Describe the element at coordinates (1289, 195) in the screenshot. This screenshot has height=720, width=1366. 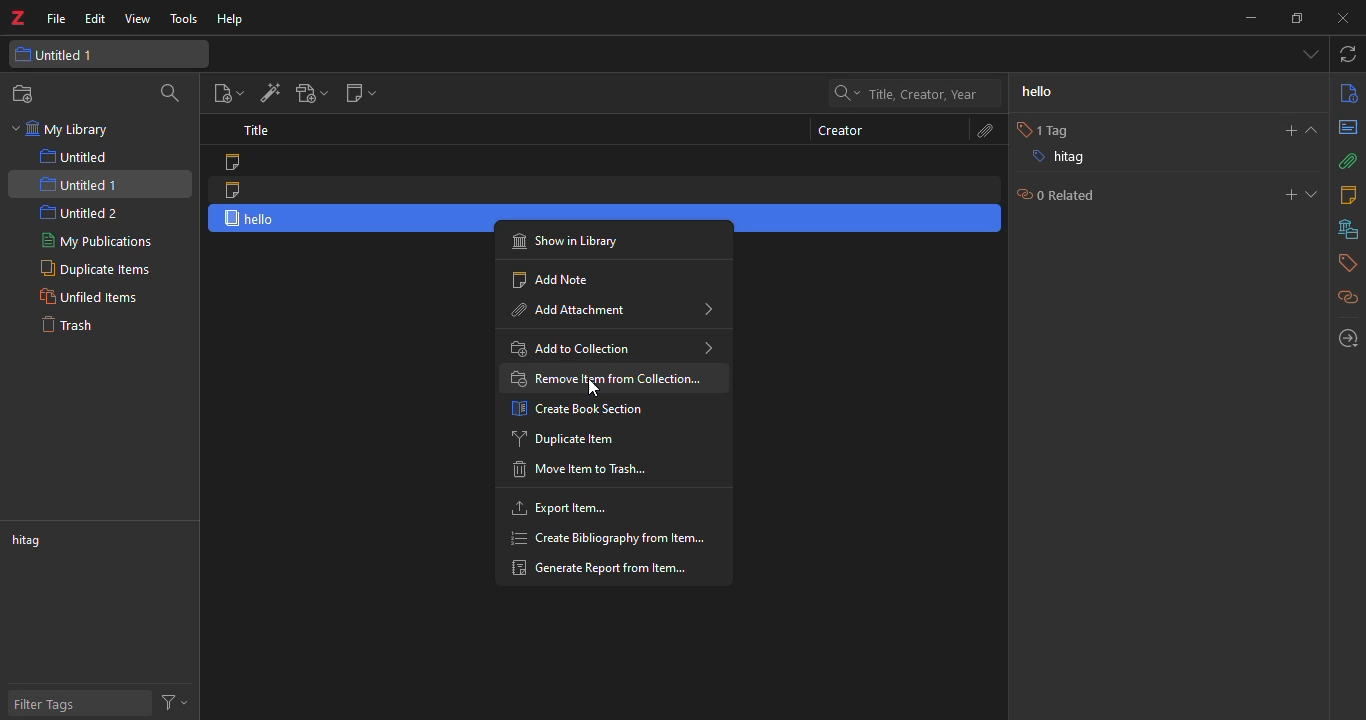
I see `add` at that location.